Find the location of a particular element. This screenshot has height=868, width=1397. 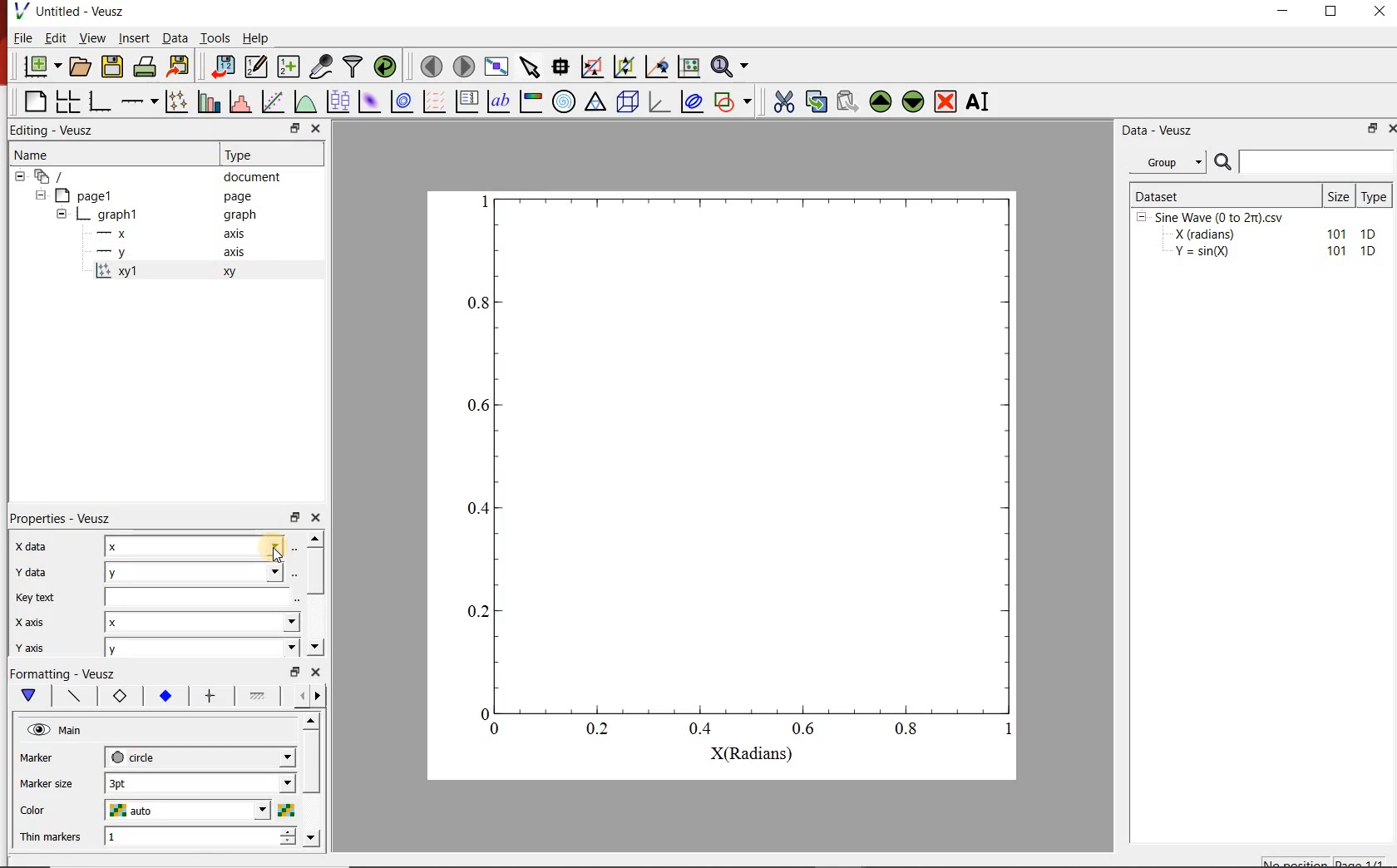

options is located at coordinates (257, 698).